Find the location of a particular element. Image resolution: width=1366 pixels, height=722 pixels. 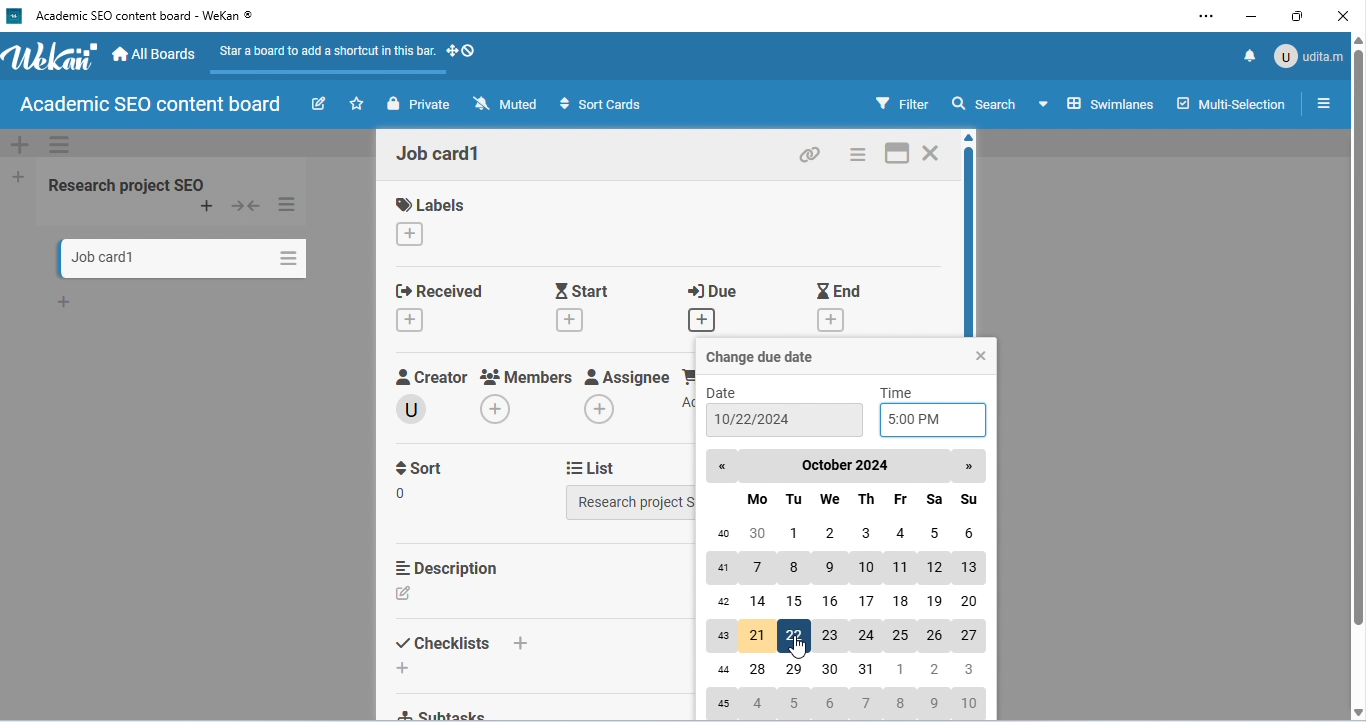

add assignee is located at coordinates (599, 408).